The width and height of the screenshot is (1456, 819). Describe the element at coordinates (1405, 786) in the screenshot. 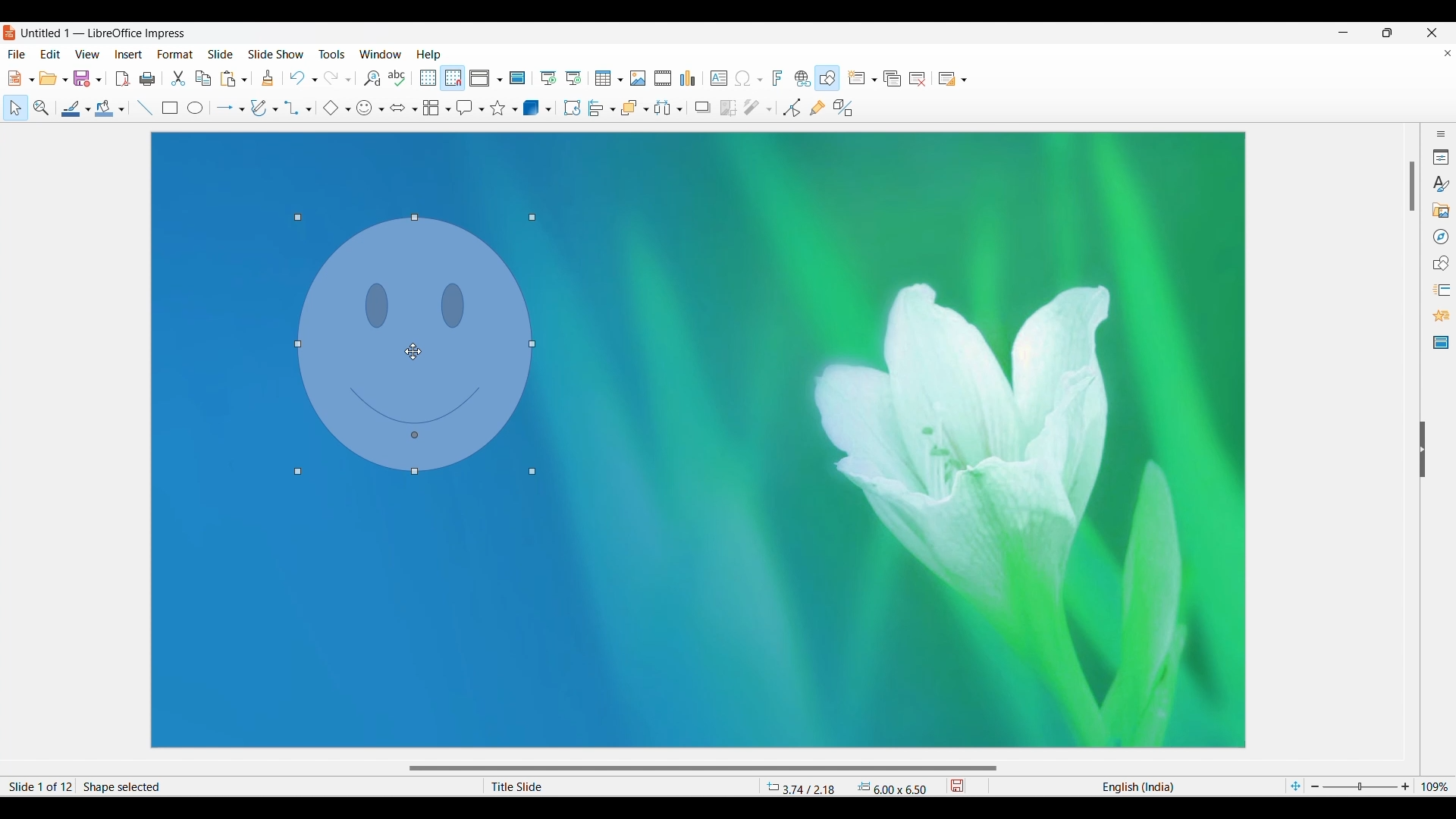

I see `Zoom in` at that location.